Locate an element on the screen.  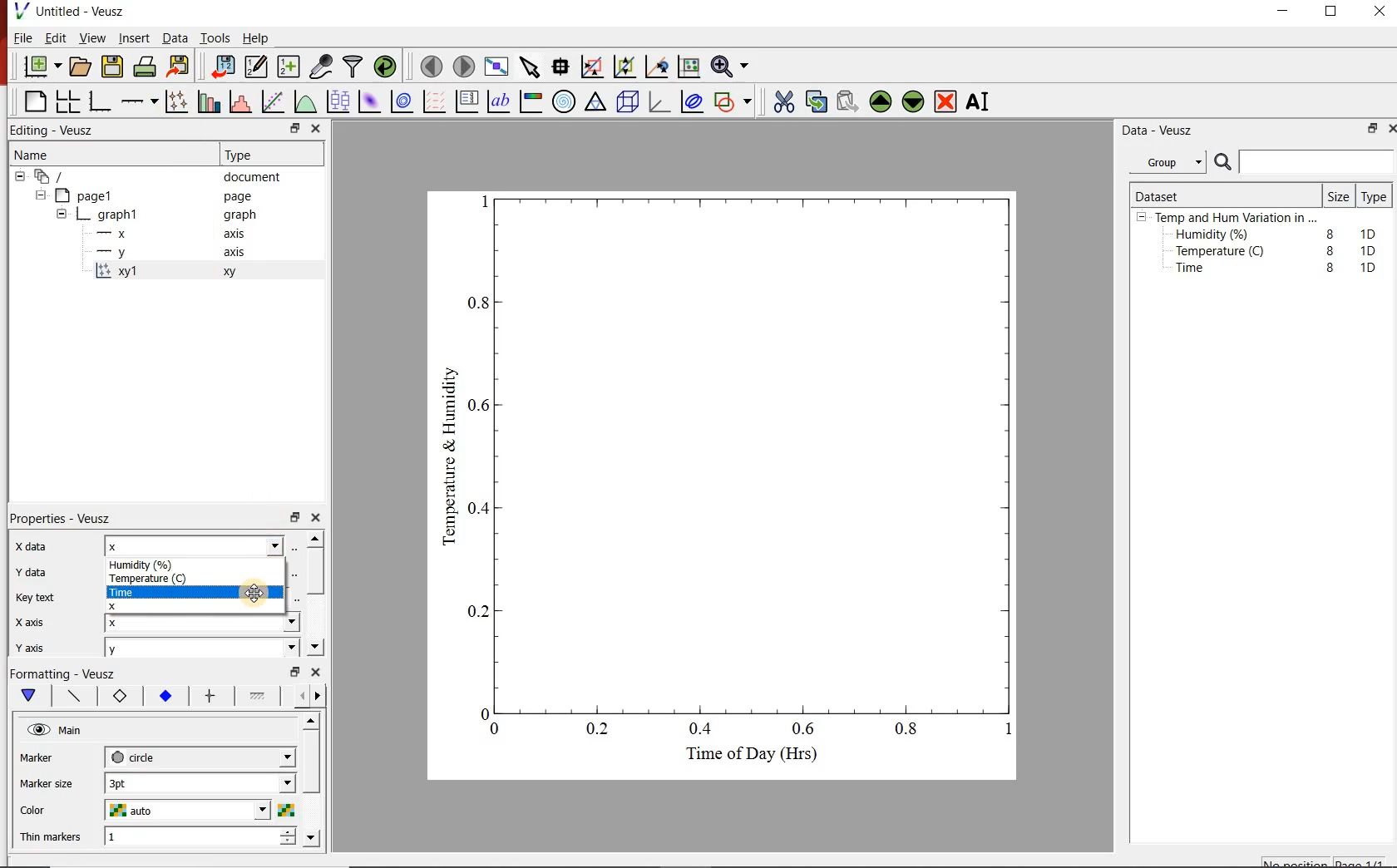
move to the next page is located at coordinates (463, 66).